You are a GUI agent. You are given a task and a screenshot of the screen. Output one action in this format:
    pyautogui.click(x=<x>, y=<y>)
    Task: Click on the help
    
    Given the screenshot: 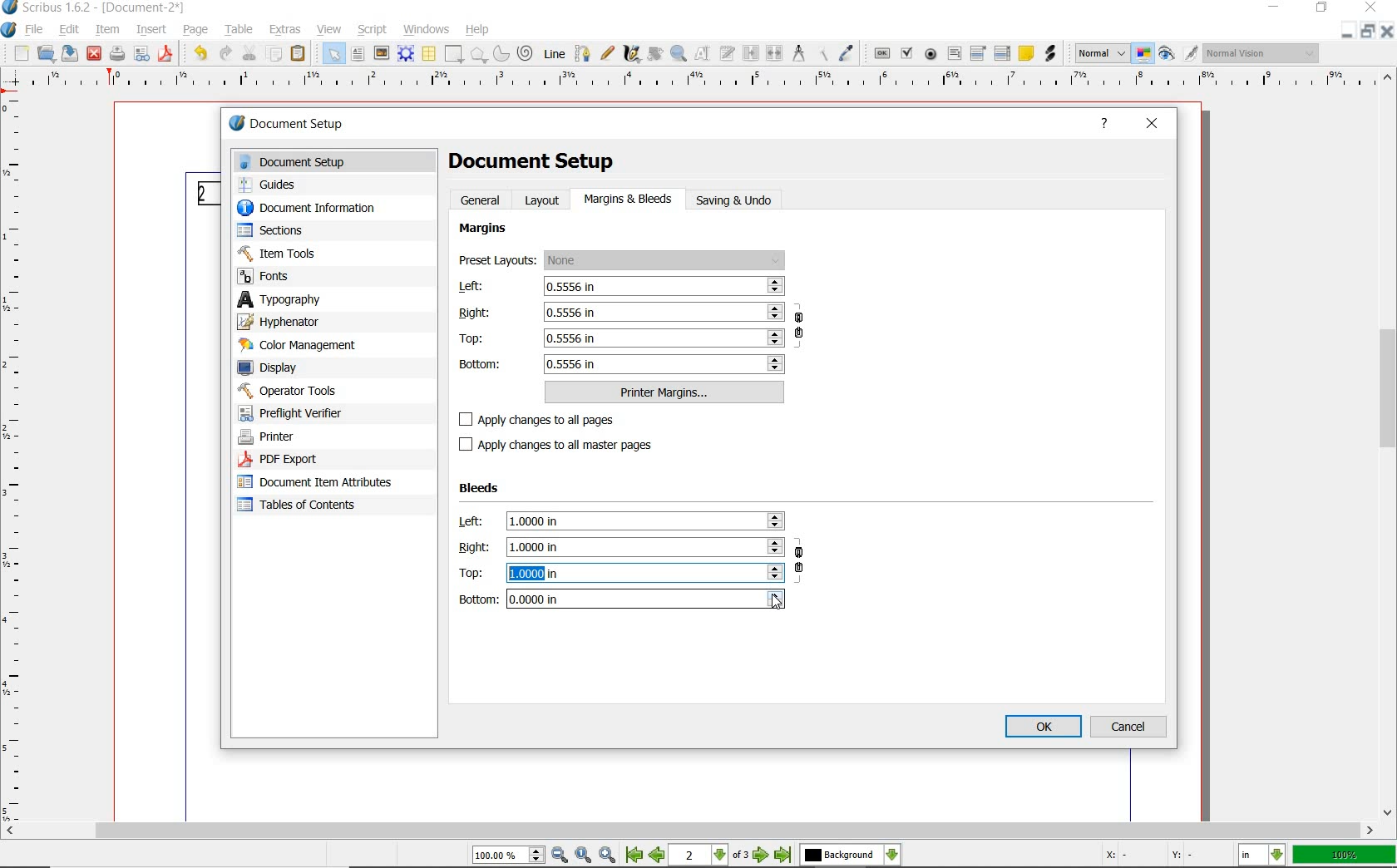 What is the action you would take?
    pyautogui.click(x=478, y=31)
    